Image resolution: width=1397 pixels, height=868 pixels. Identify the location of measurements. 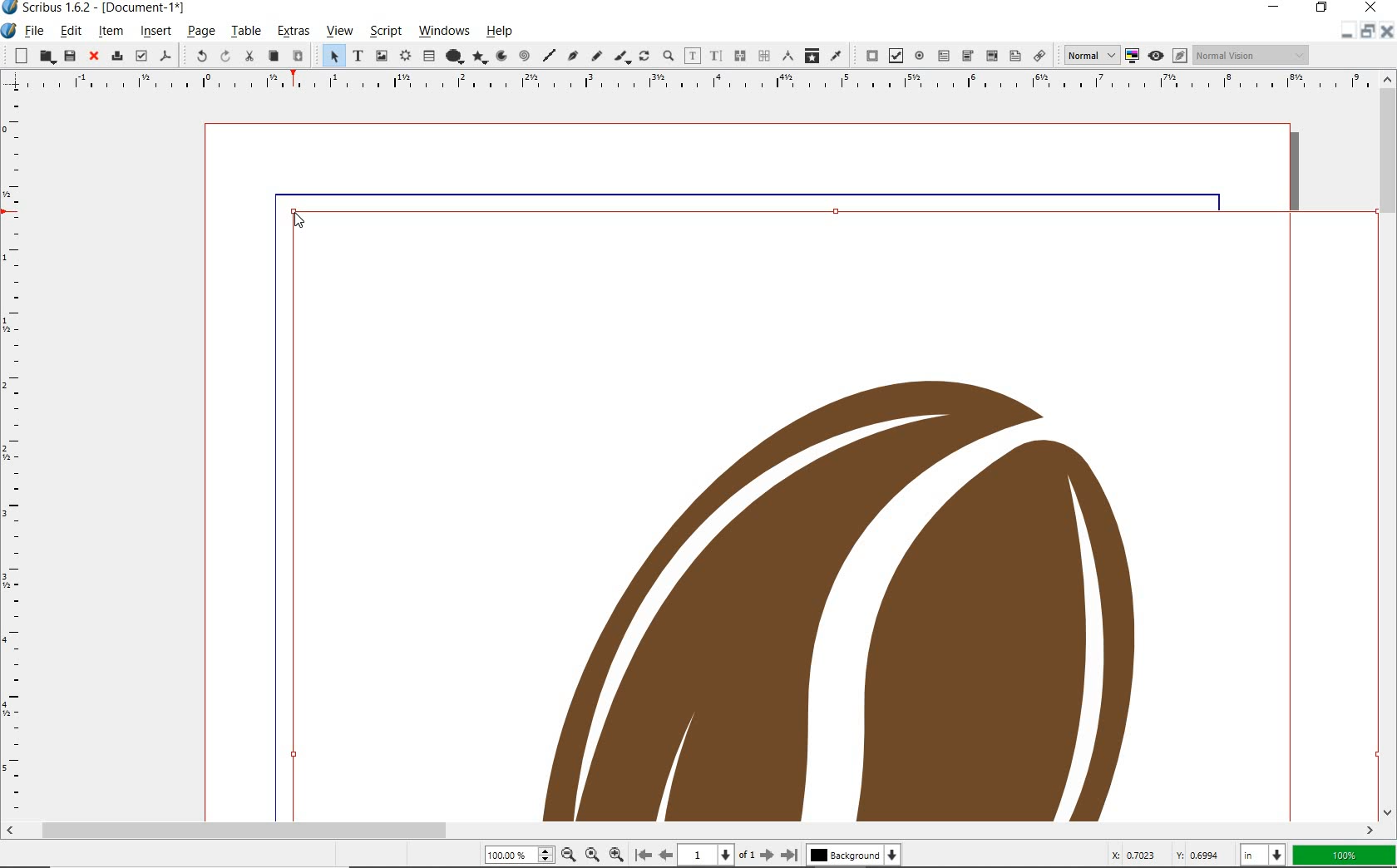
(789, 56).